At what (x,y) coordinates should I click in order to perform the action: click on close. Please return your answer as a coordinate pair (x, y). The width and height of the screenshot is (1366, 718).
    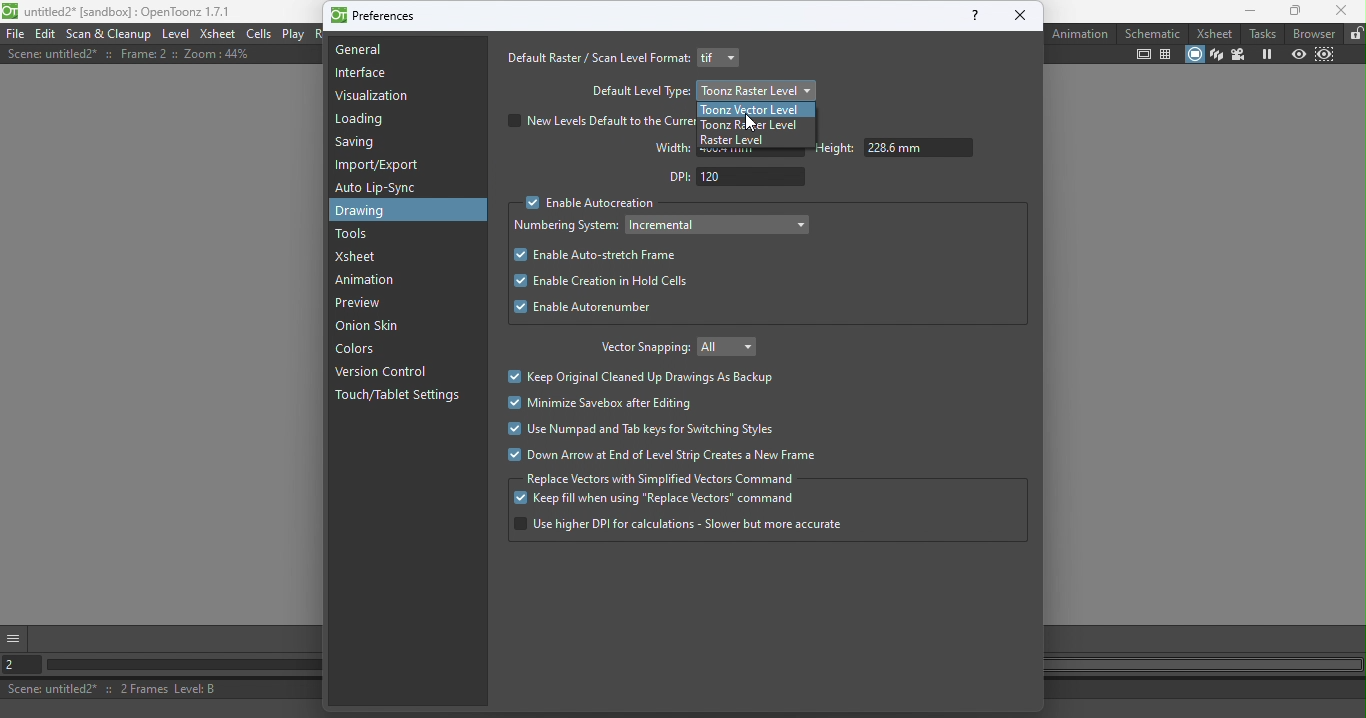
    Looking at the image, I should click on (1021, 15).